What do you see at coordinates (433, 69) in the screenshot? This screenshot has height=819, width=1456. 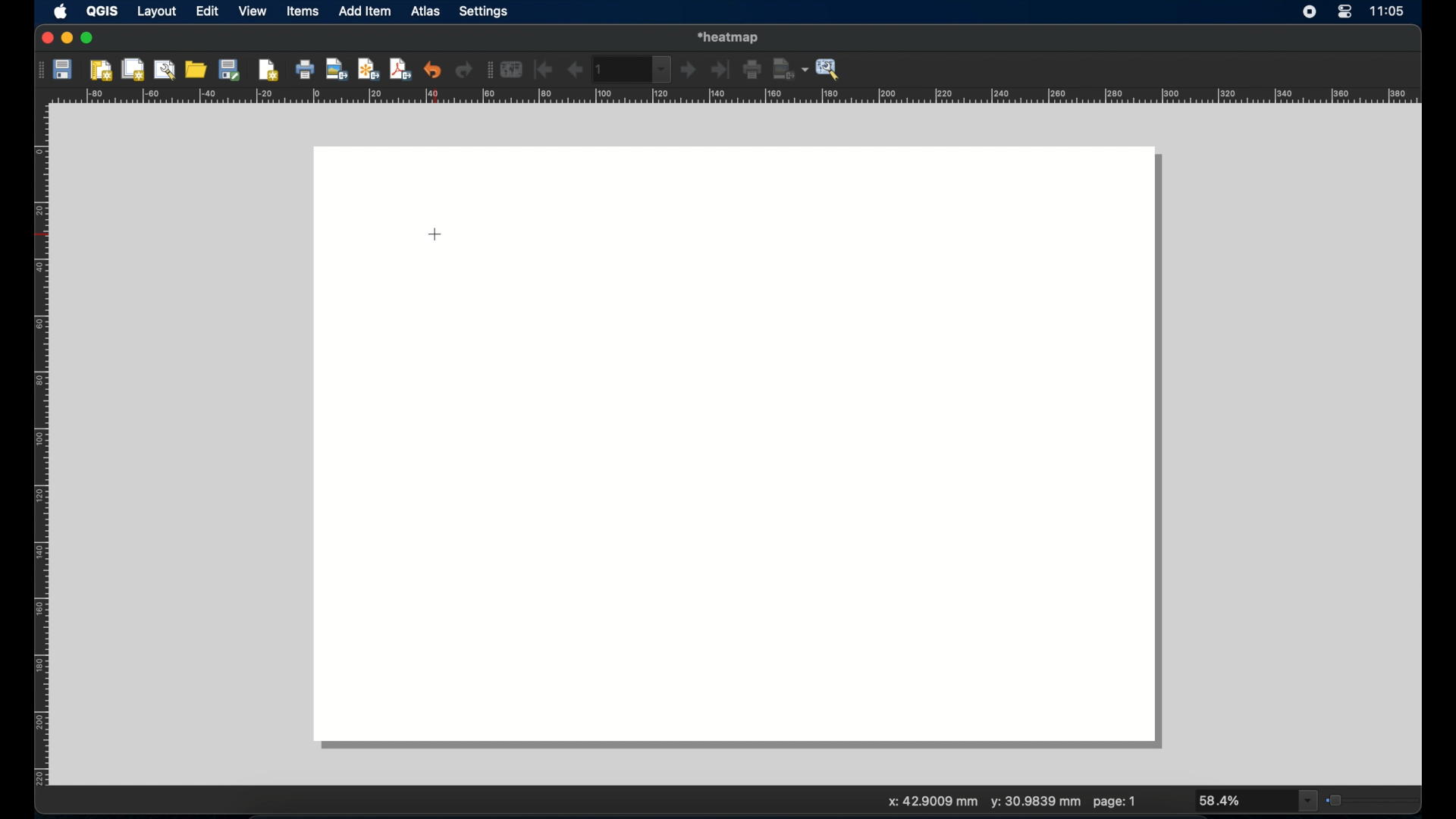 I see `uno` at bounding box center [433, 69].